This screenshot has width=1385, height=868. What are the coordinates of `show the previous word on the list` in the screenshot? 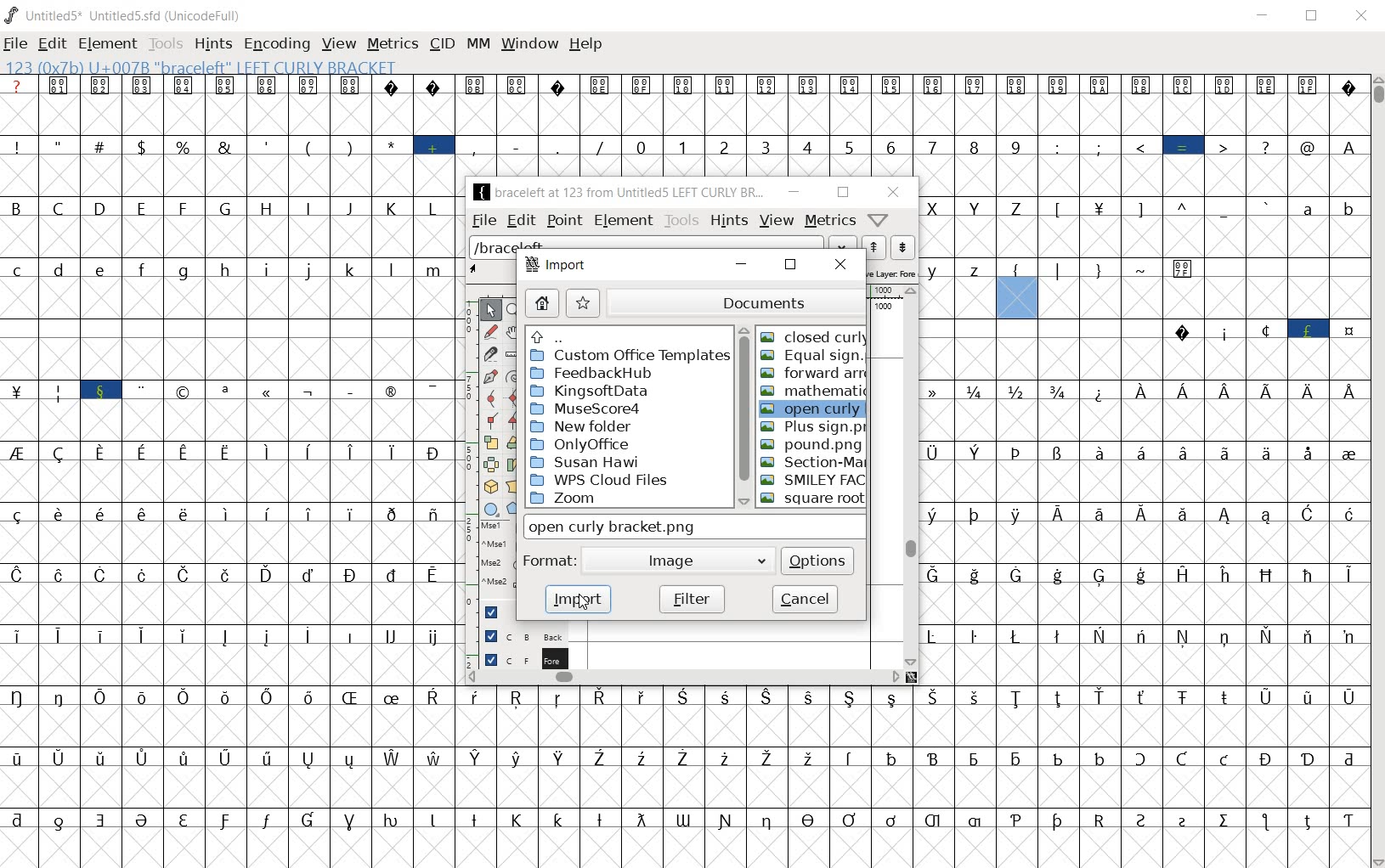 It's located at (902, 247).